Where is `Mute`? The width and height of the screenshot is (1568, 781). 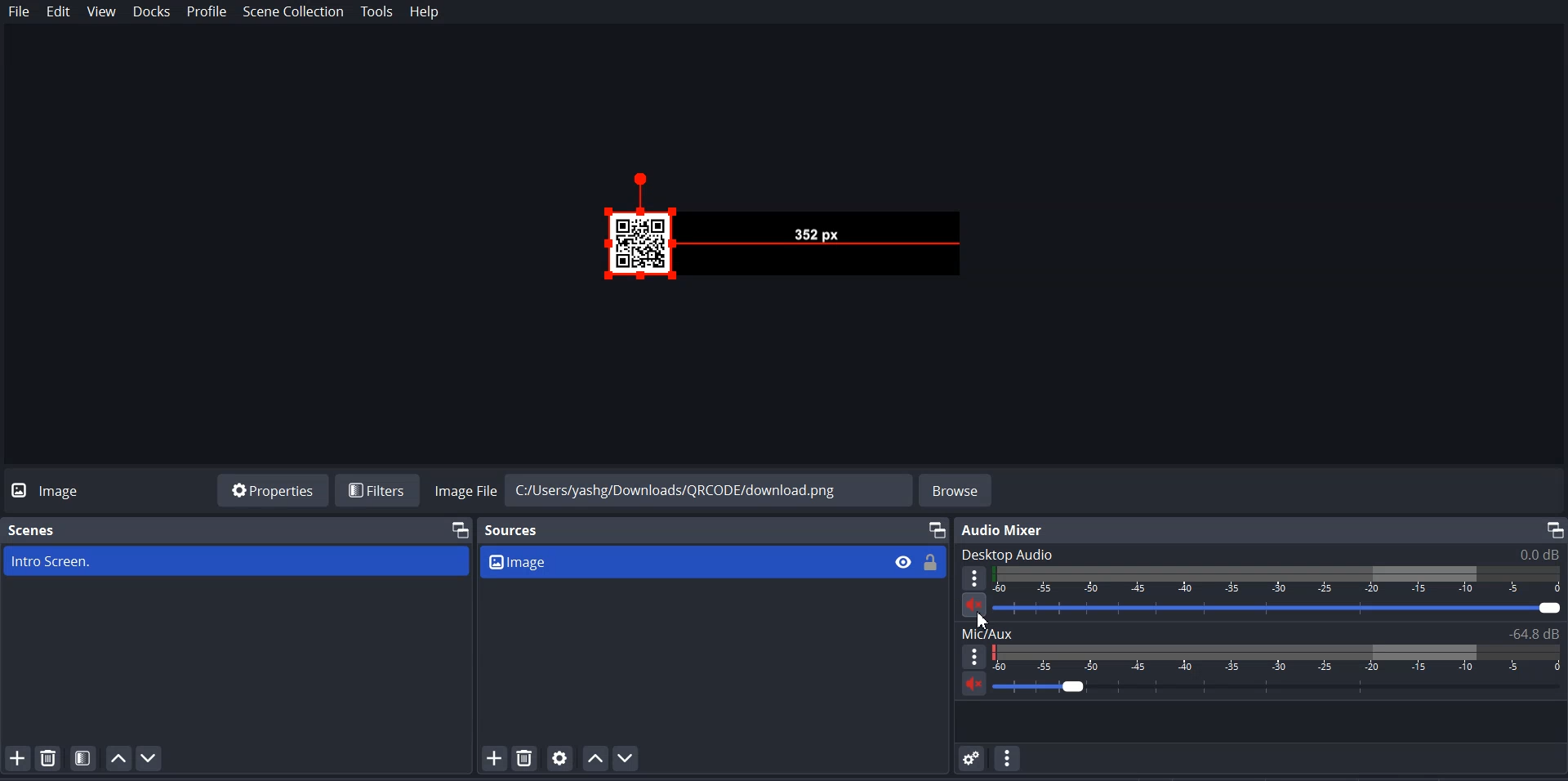
Mute is located at coordinates (975, 606).